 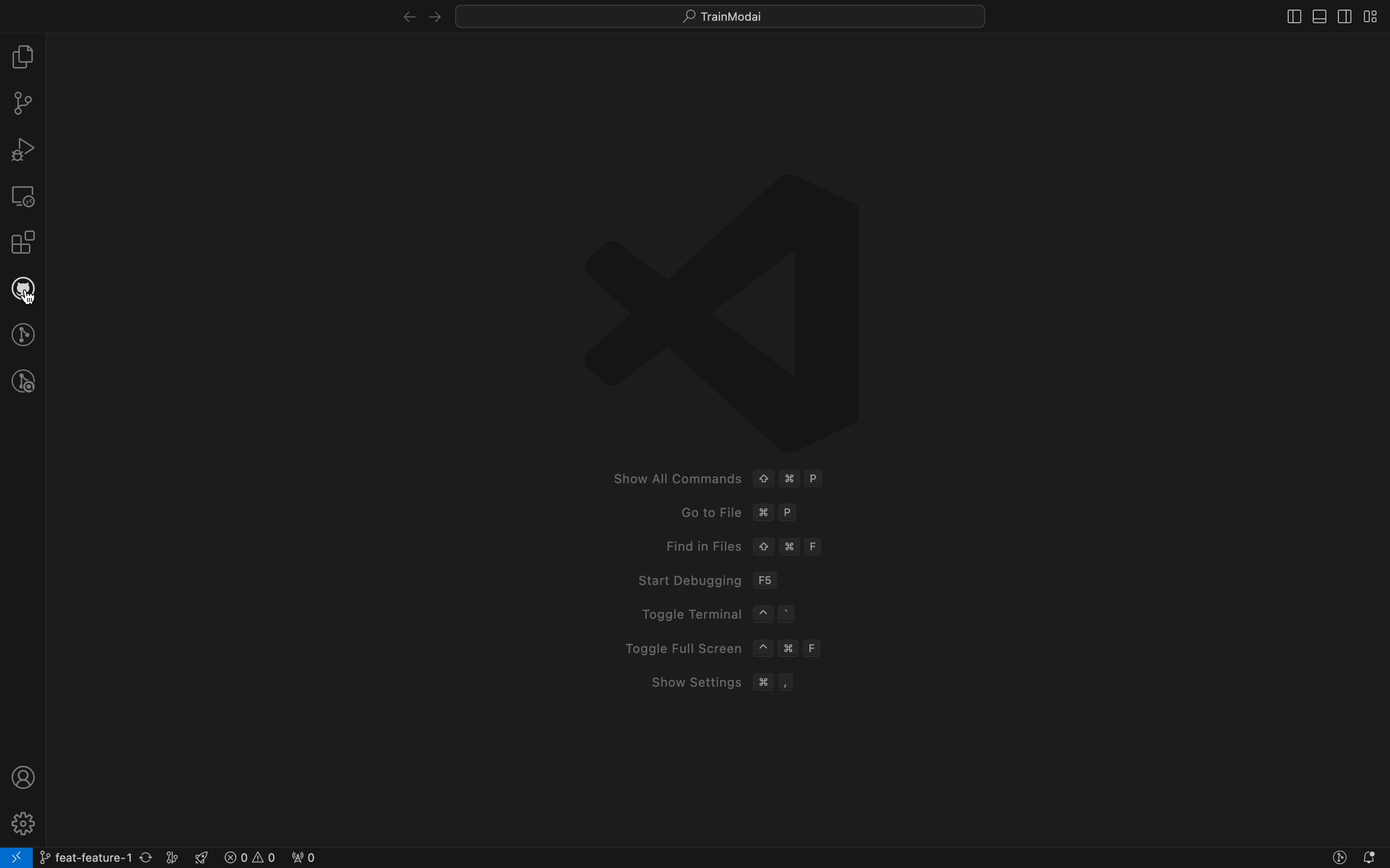 I want to click on git lens, so click(x=25, y=334).